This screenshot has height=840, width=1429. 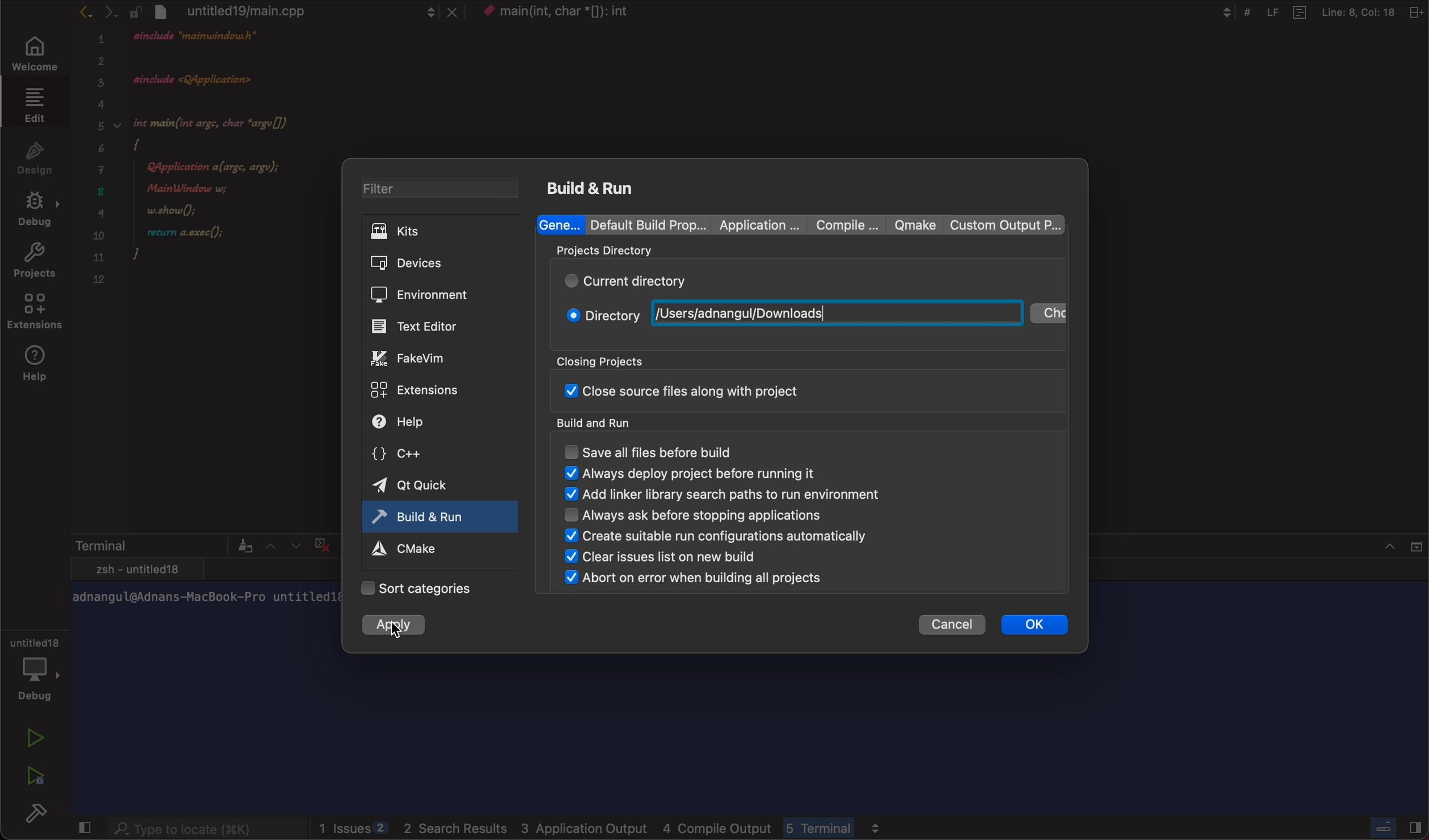 What do you see at coordinates (590, 188) in the screenshot?
I see `build and run` at bounding box center [590, 188].